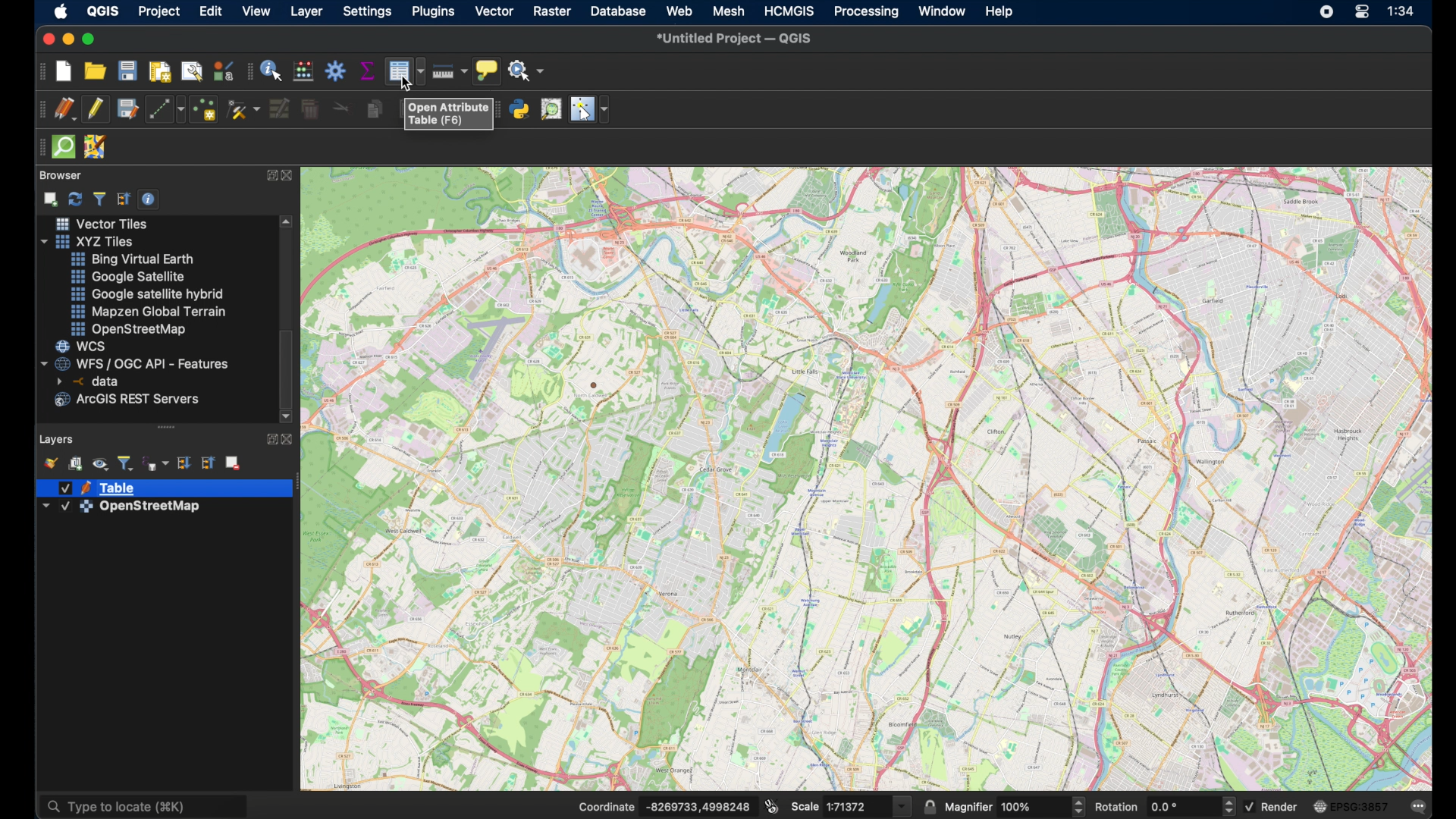  What do you see at coordinates (901, 806) in the screenshot?
I see `` at bounding box center [901, 806].